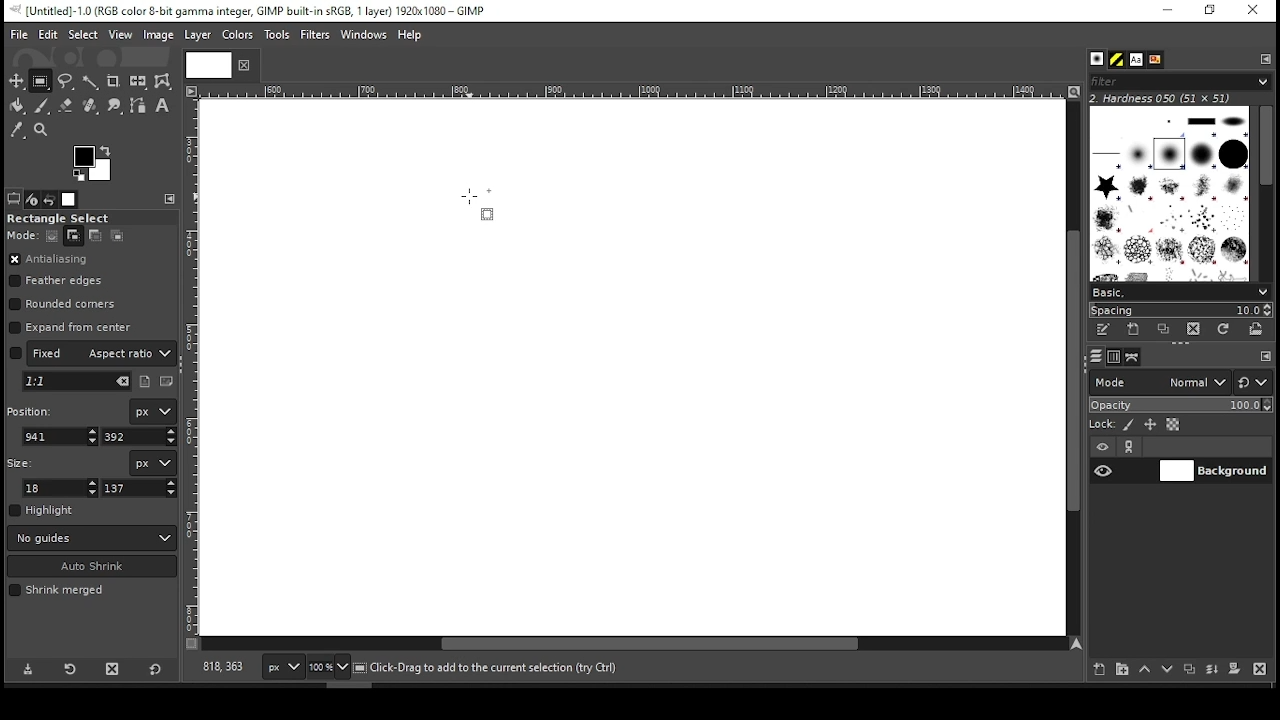 Image resolution: width=1280 pixels, height=720 pixels. What do you see at coordinates (93, 163) in the screenshot?
I see `colors` at bounding box center [93, 163].